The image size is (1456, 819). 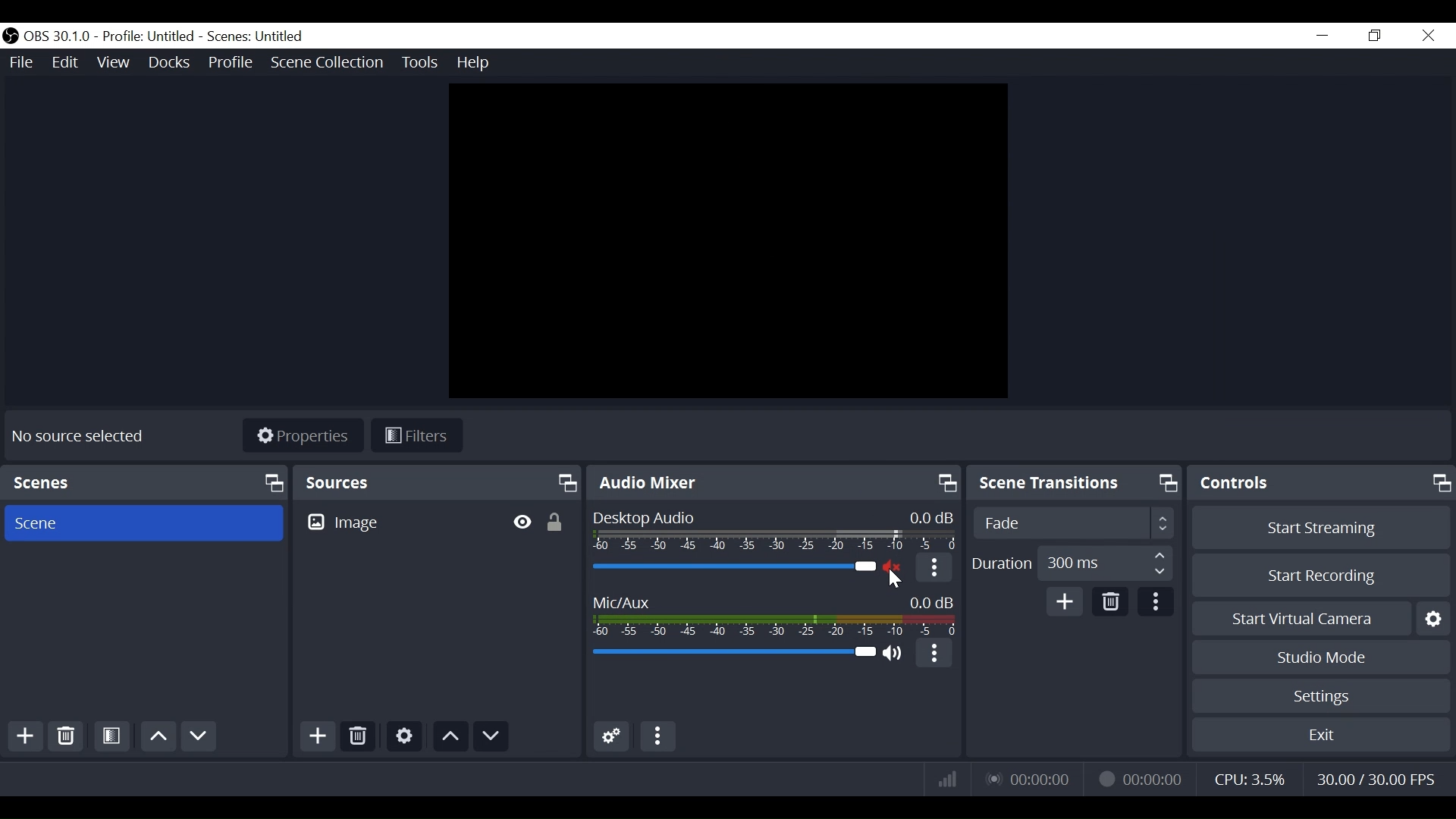 I want to click on Start Recording, so click(x=1321, y=576).